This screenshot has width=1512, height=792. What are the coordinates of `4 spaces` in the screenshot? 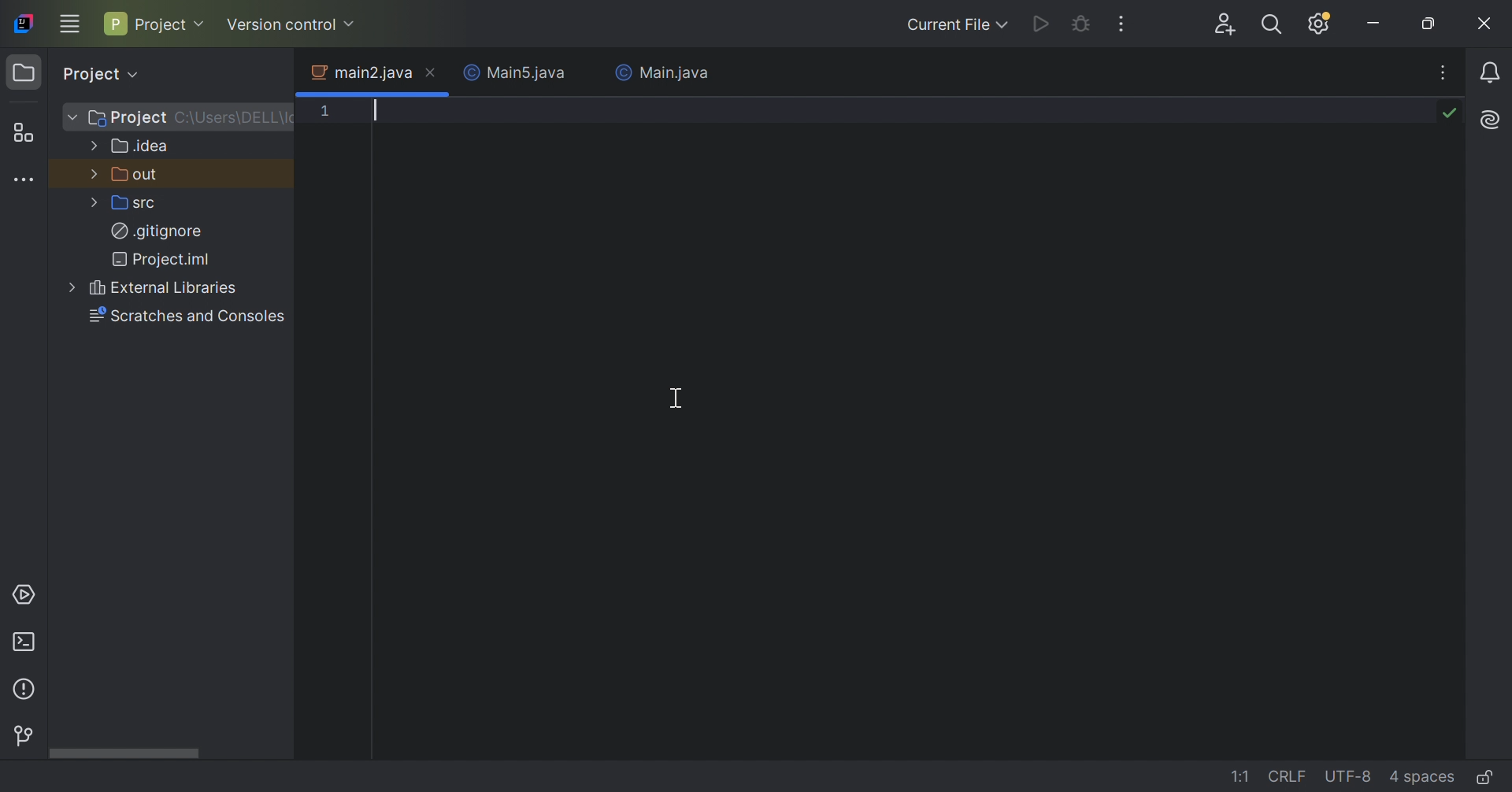 It's located at (1425, 776).